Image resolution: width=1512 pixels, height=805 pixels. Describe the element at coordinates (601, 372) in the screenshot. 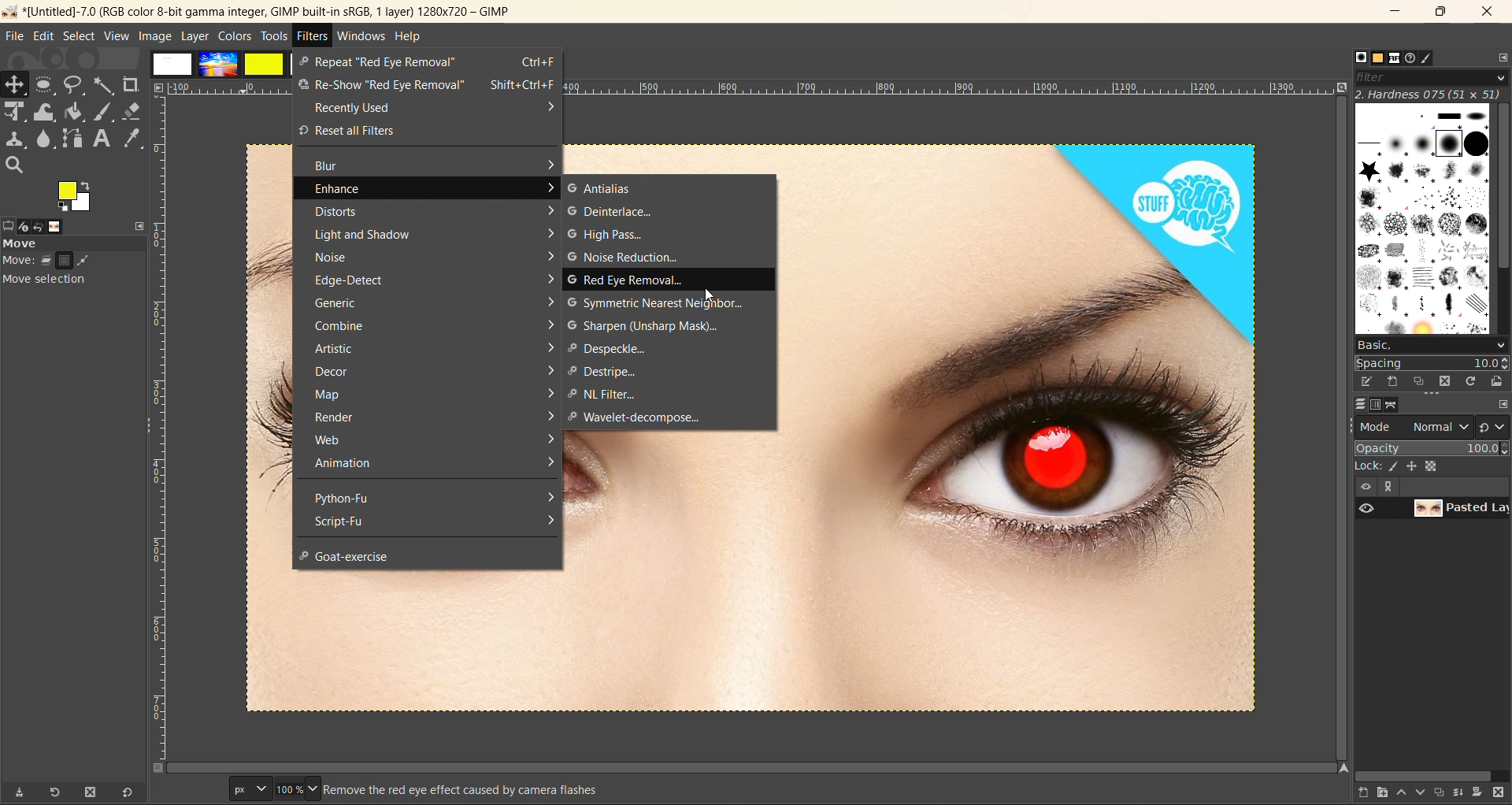

I see `destripe` at that location.